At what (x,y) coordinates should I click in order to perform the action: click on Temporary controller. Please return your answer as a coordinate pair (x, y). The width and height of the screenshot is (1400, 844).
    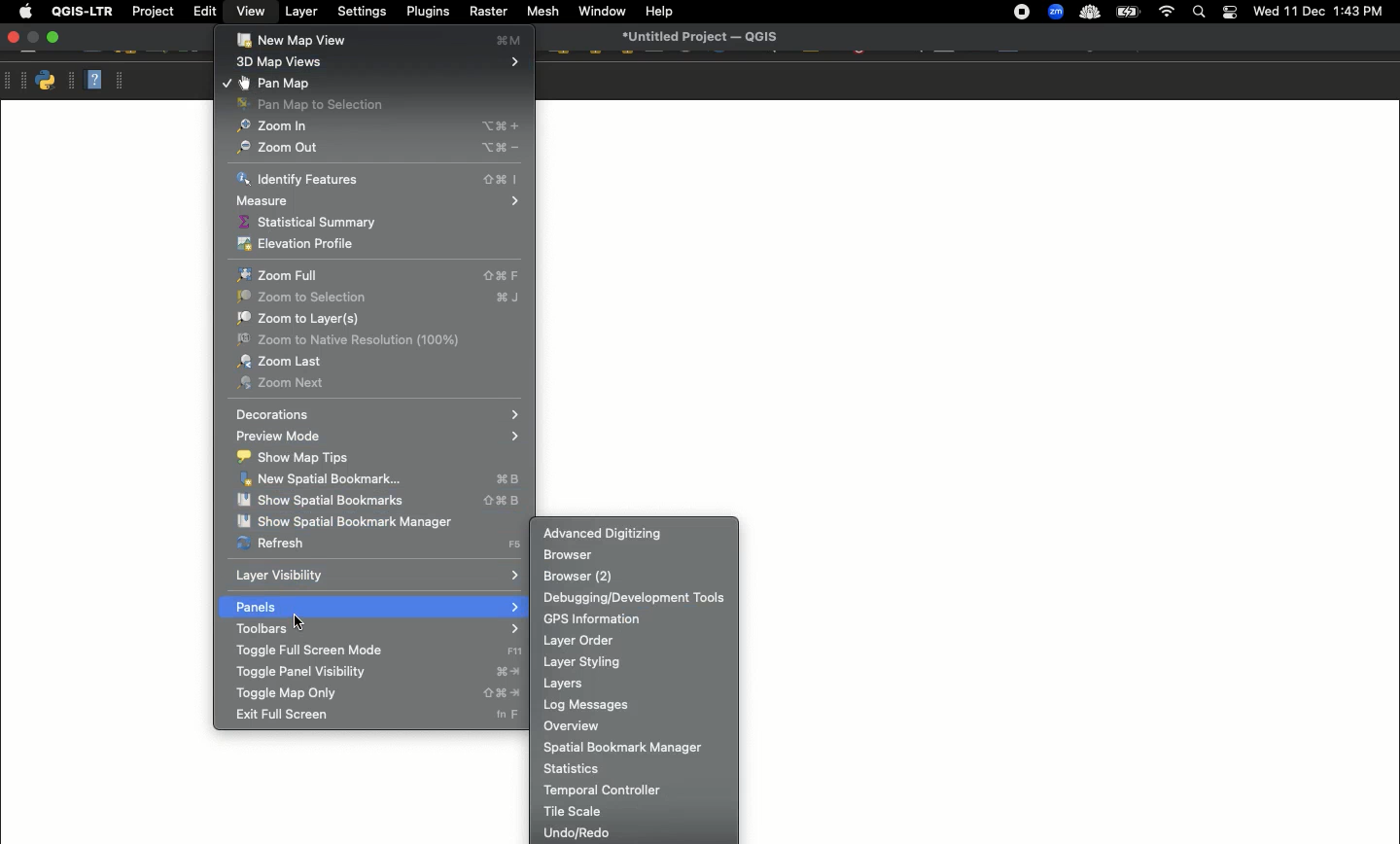
    Looking at the image, I should click on (630, 788).